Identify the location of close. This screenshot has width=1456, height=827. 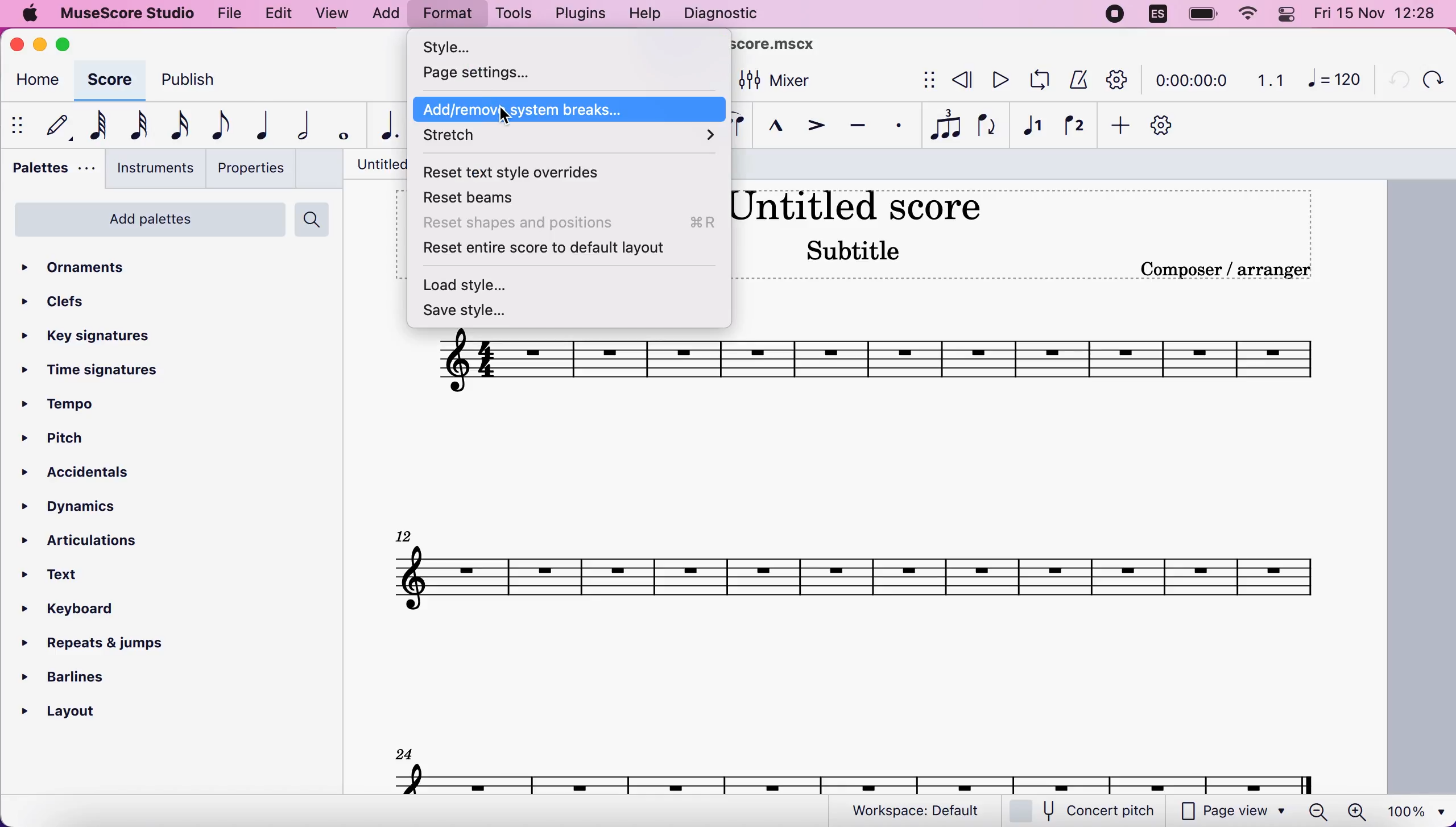
(20, 46).